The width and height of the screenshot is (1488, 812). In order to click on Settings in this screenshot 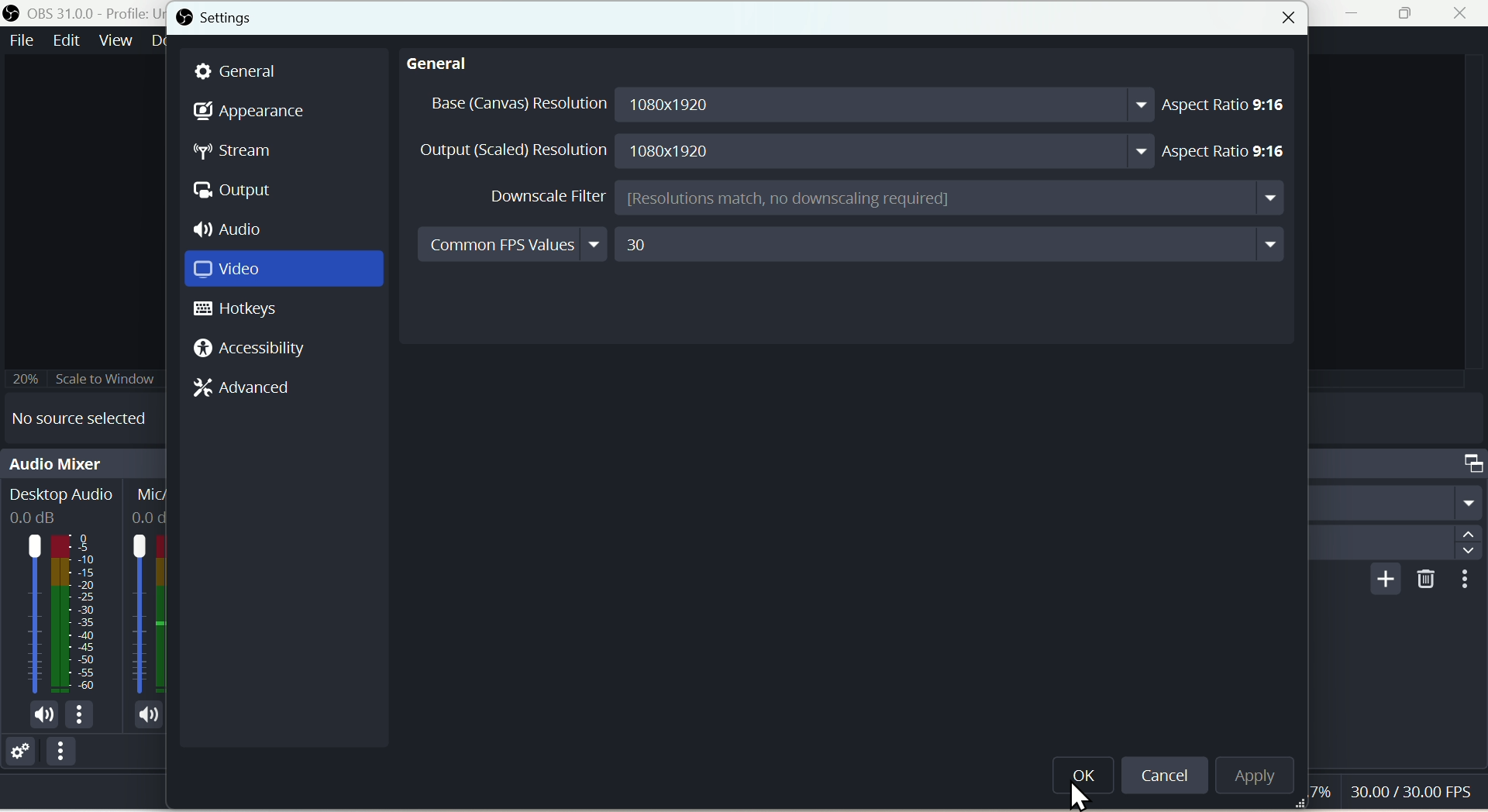, I will do `click(18, 749)`.